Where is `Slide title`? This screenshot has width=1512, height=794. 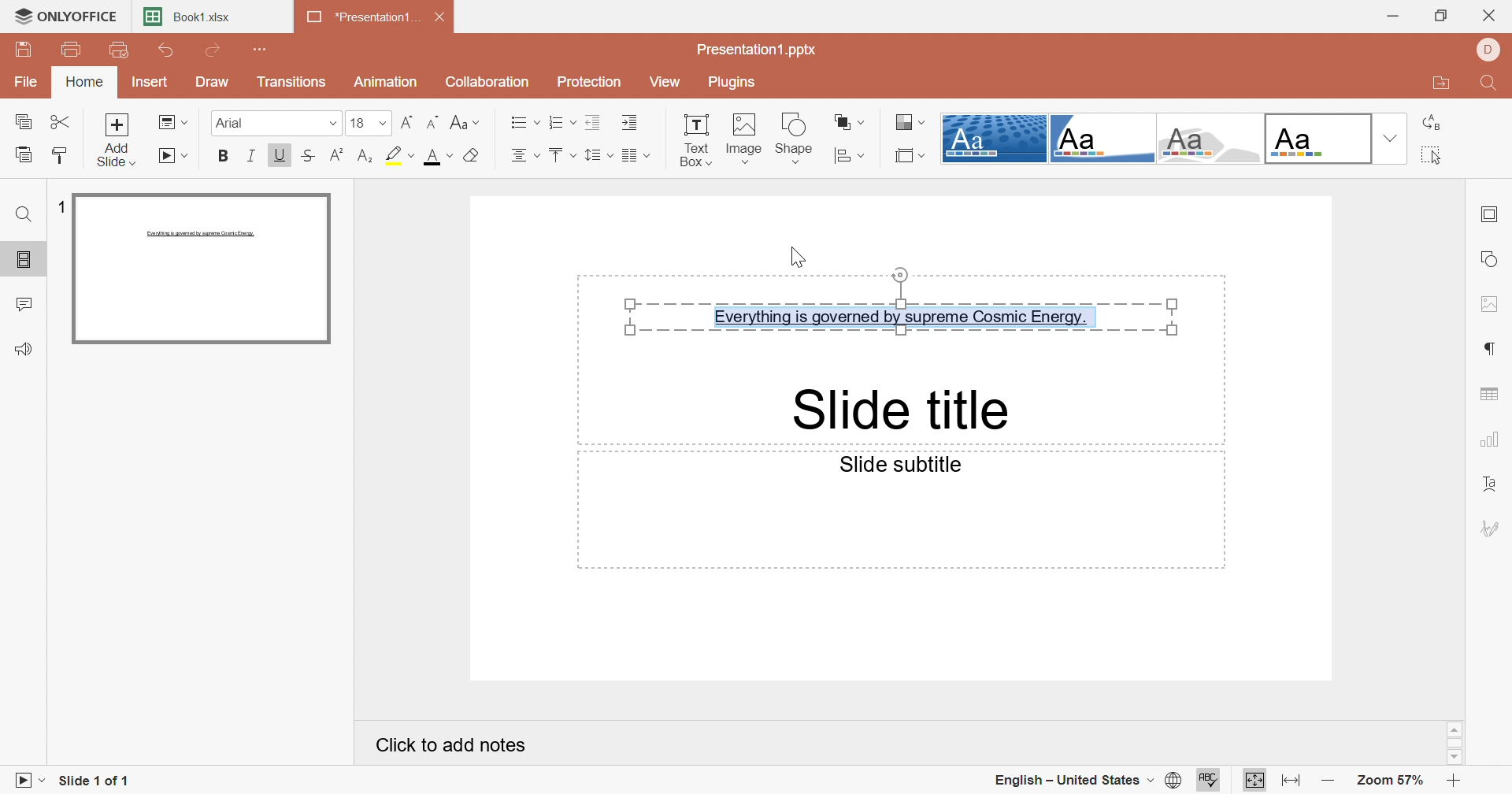
Slide title is located at coordinates (893, 412).